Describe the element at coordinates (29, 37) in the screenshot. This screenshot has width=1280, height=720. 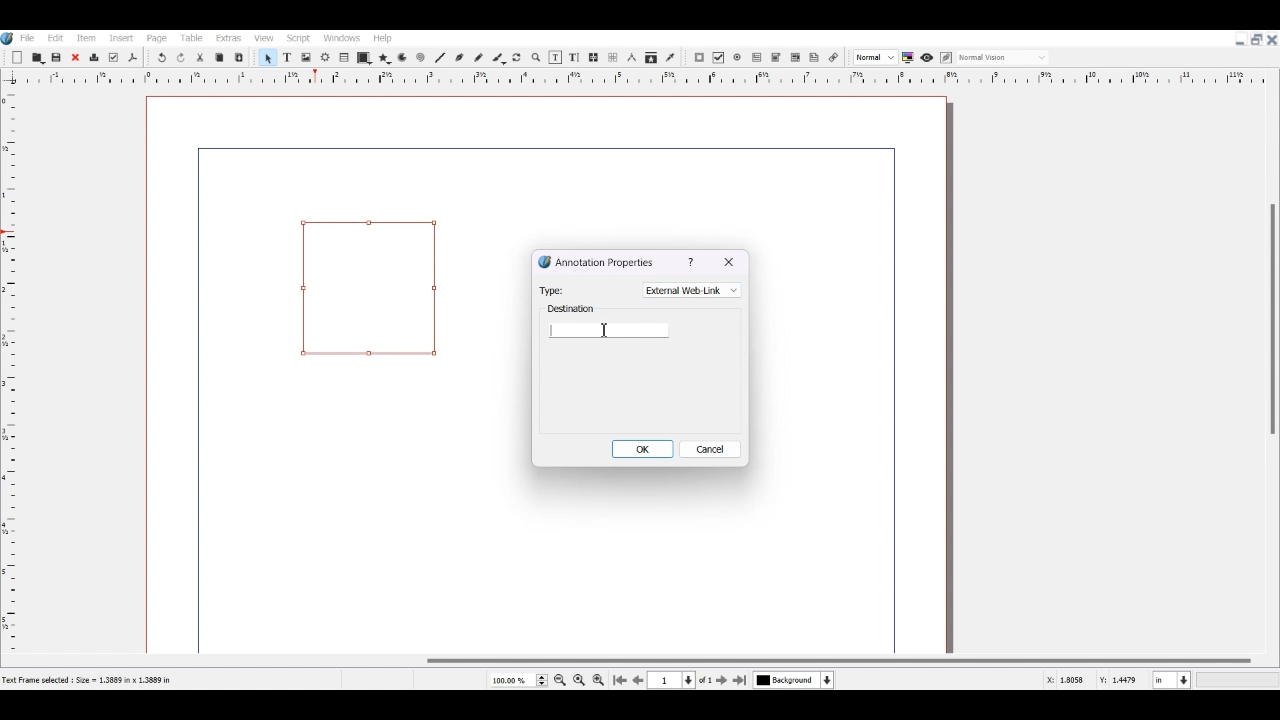
I see `File` at that location.